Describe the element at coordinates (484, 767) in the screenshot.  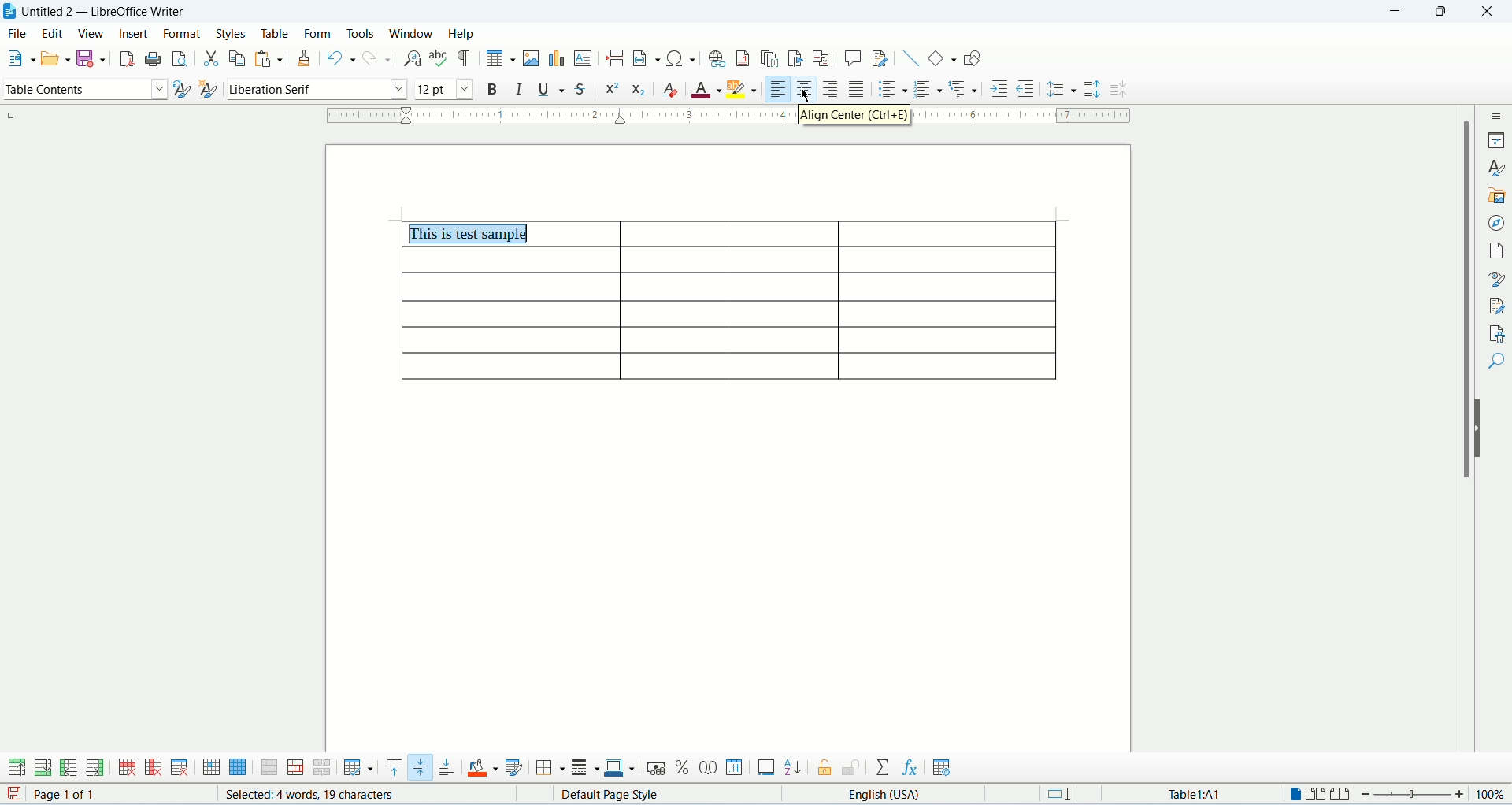
I see `cell background color` at that location.